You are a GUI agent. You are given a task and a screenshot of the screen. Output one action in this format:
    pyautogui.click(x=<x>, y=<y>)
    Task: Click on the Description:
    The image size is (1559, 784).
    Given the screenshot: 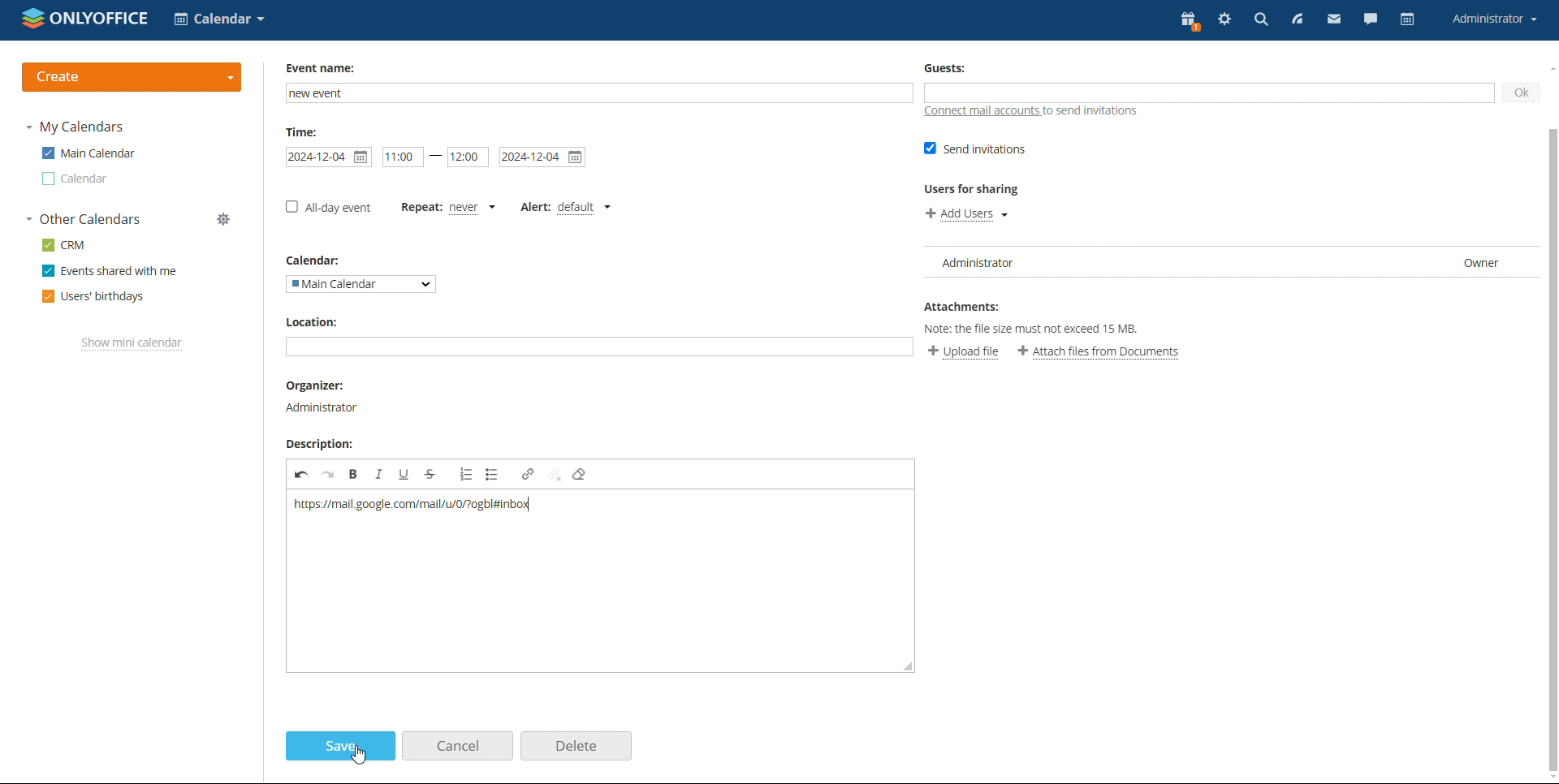 What is the action you would take?
    pyautogui.click(x=317, y=442)
    